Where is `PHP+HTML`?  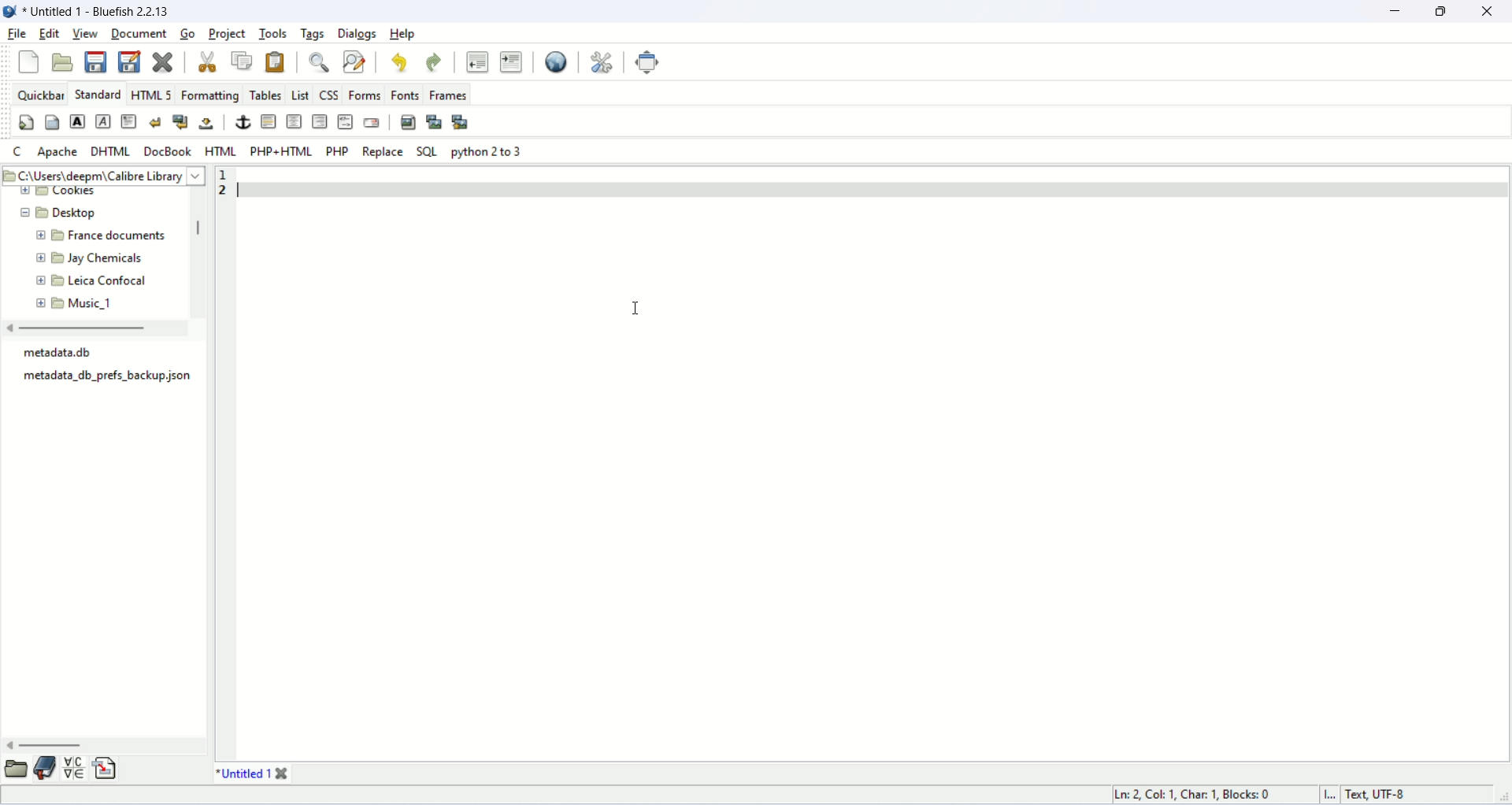 PHP+HTML is located at coordinates (280, 151).